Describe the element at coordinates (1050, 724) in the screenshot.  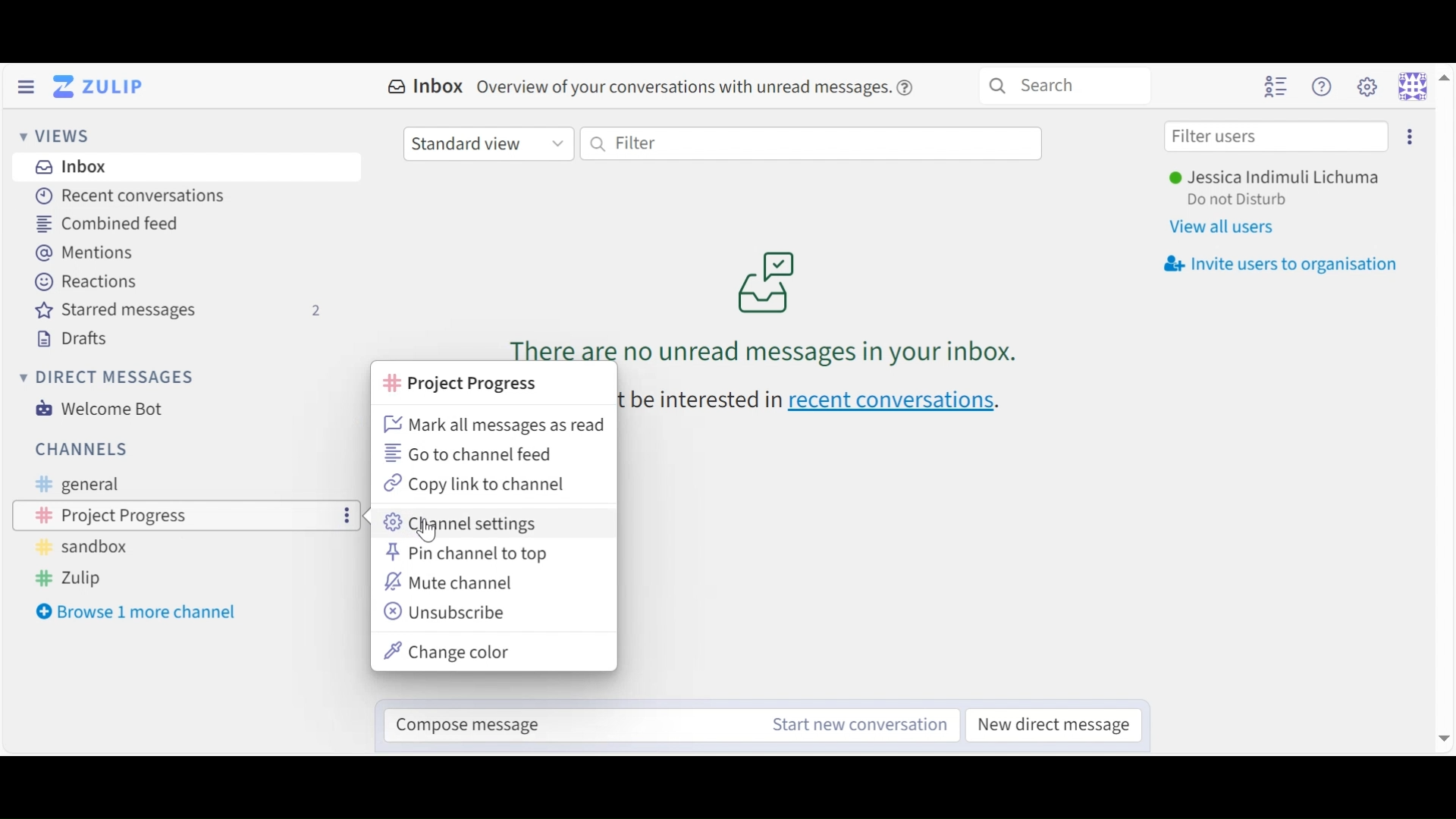
I see `New direct message` at that location.